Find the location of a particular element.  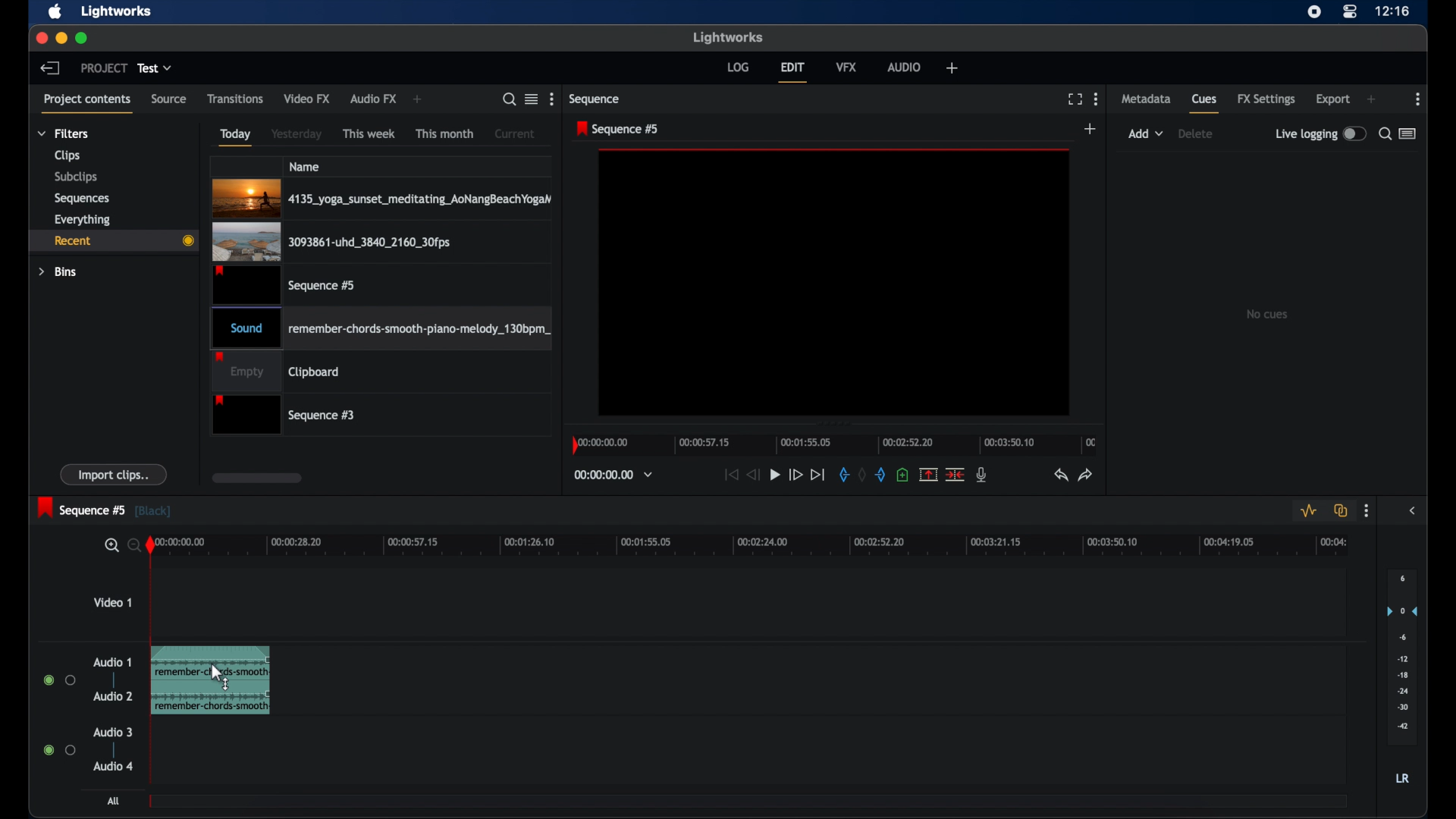

vfx is located at coordinates (846, 66).